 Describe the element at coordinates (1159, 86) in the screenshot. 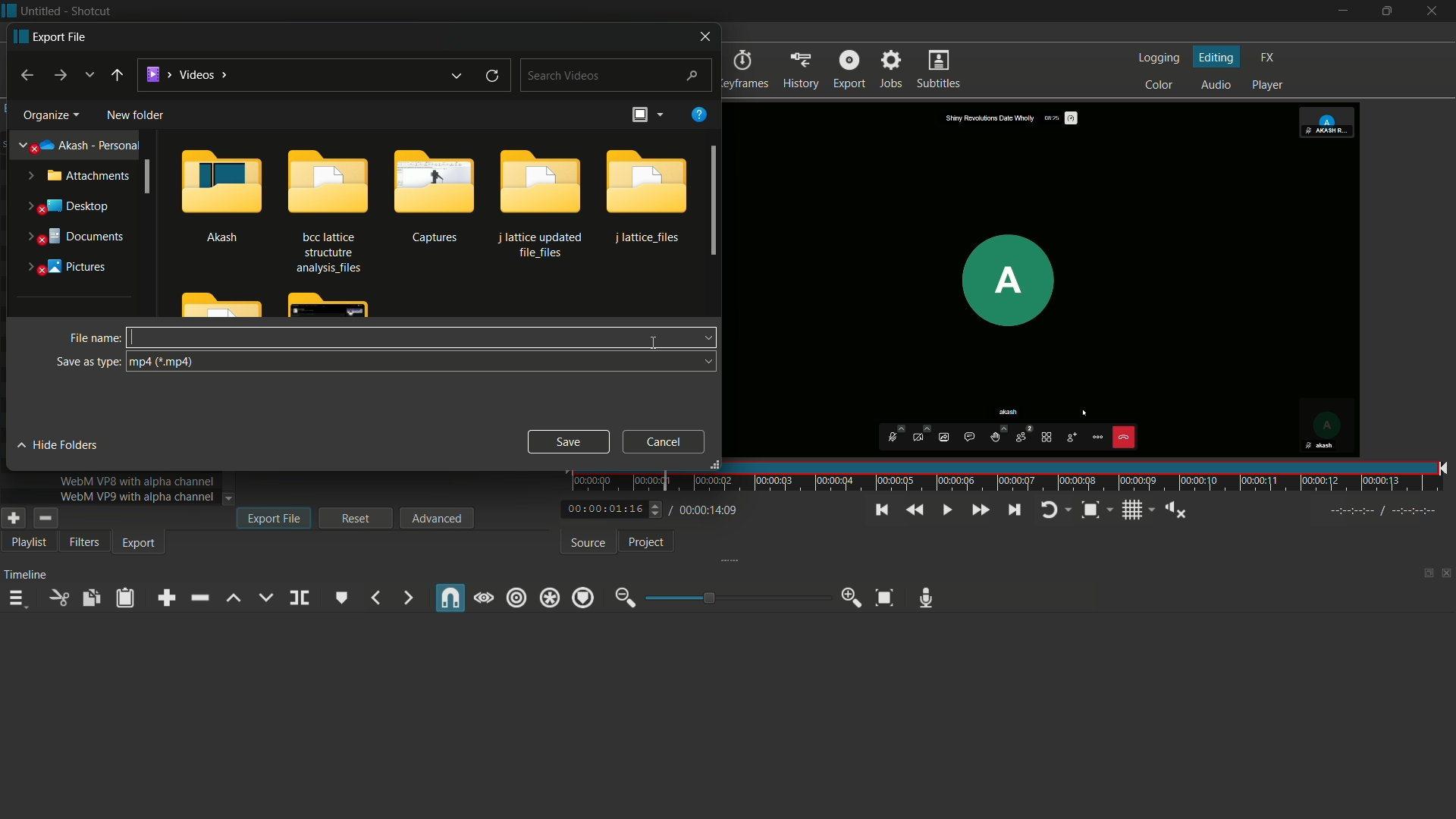

I see `color` at that location.